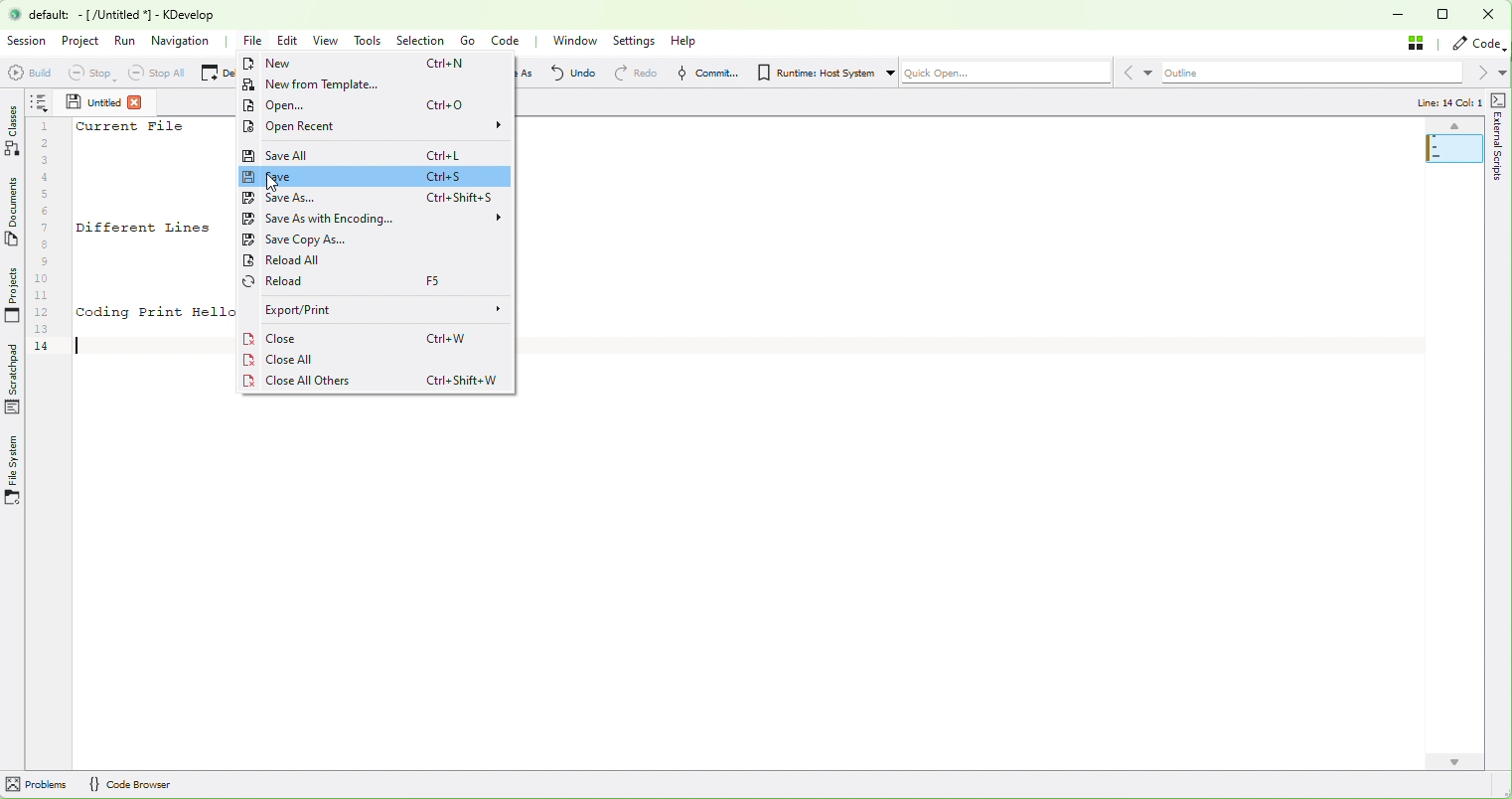  Describe the element at coordinates (282, 359) in the screenshot. I see `Close all` at that location.